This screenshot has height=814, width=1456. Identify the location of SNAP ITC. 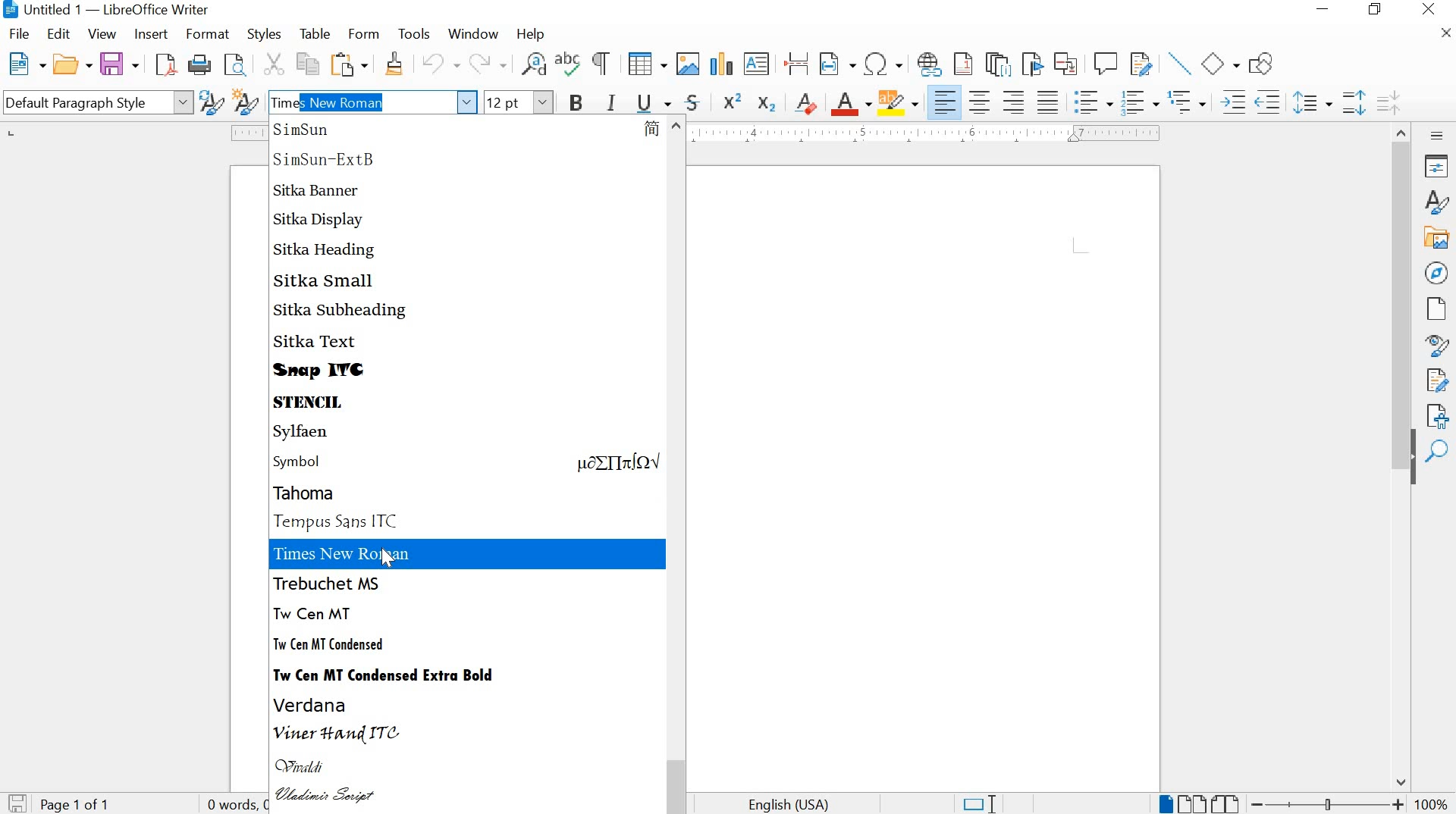
(326, 371).